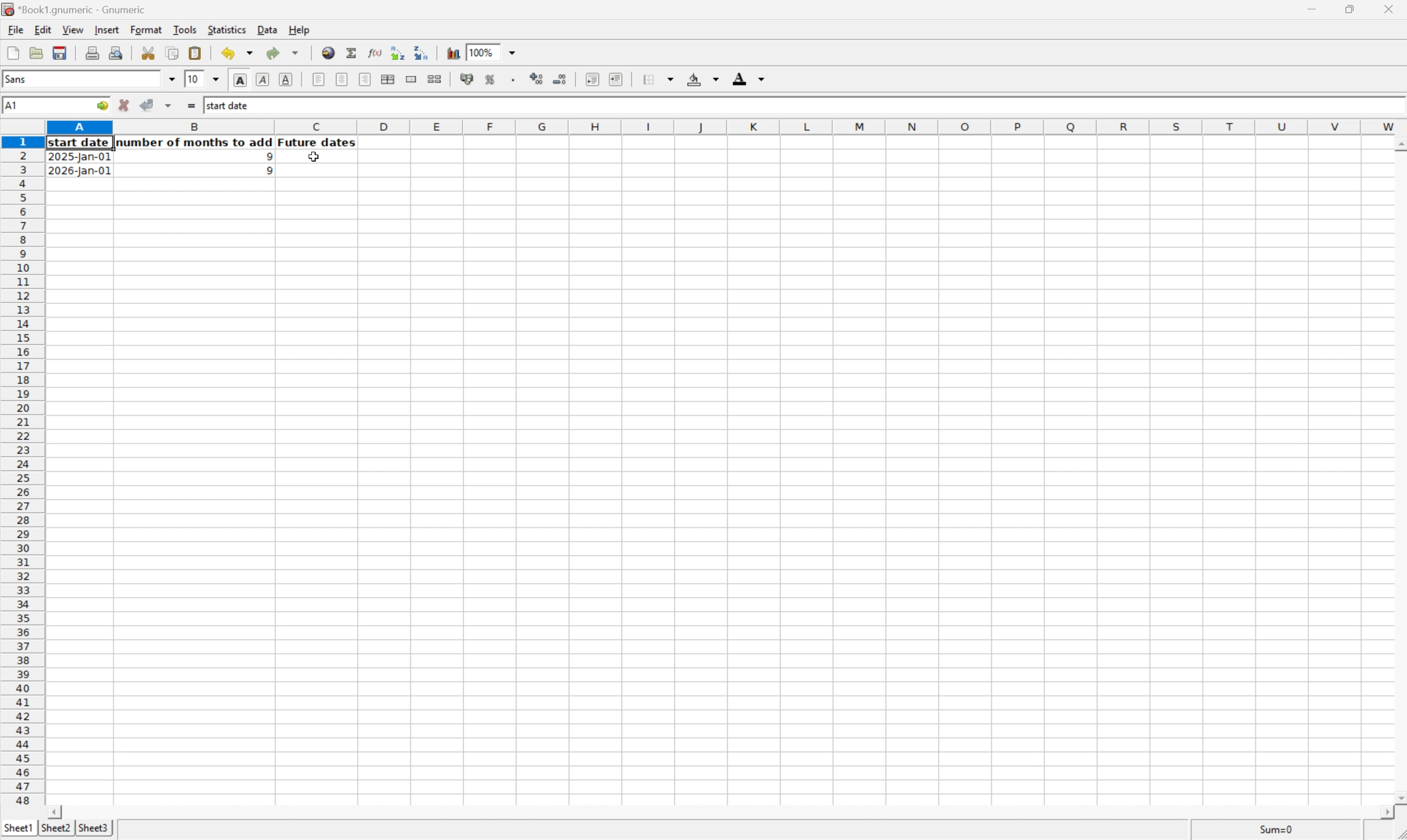 This screenshot has width=1407, height=840. What do you see at coordinates (227, 28) in the screenshot?
I see `Statistics` at bounding box center [227, 28].